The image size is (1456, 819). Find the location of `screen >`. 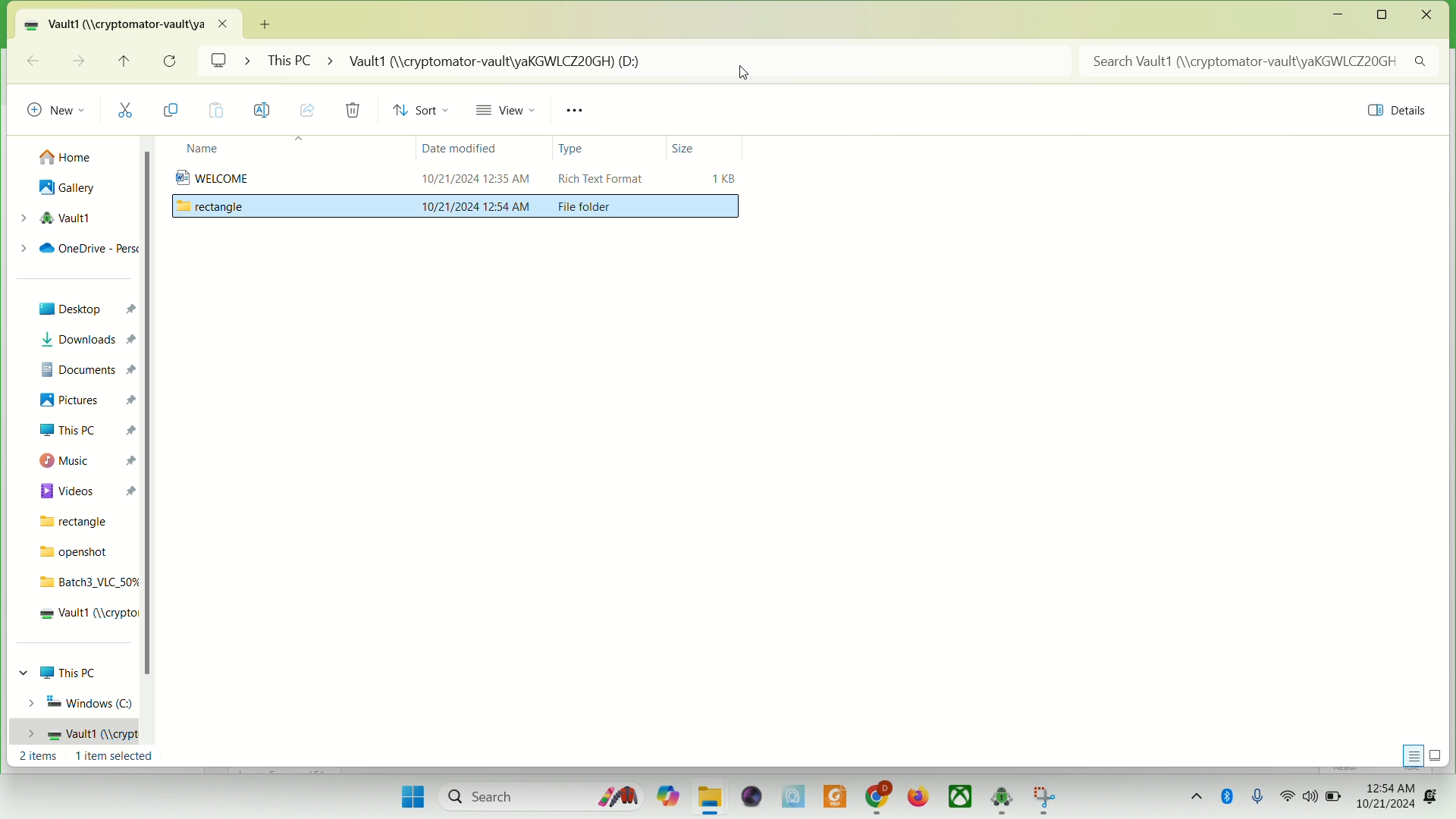

screen > is located at coordinates (231, 63).